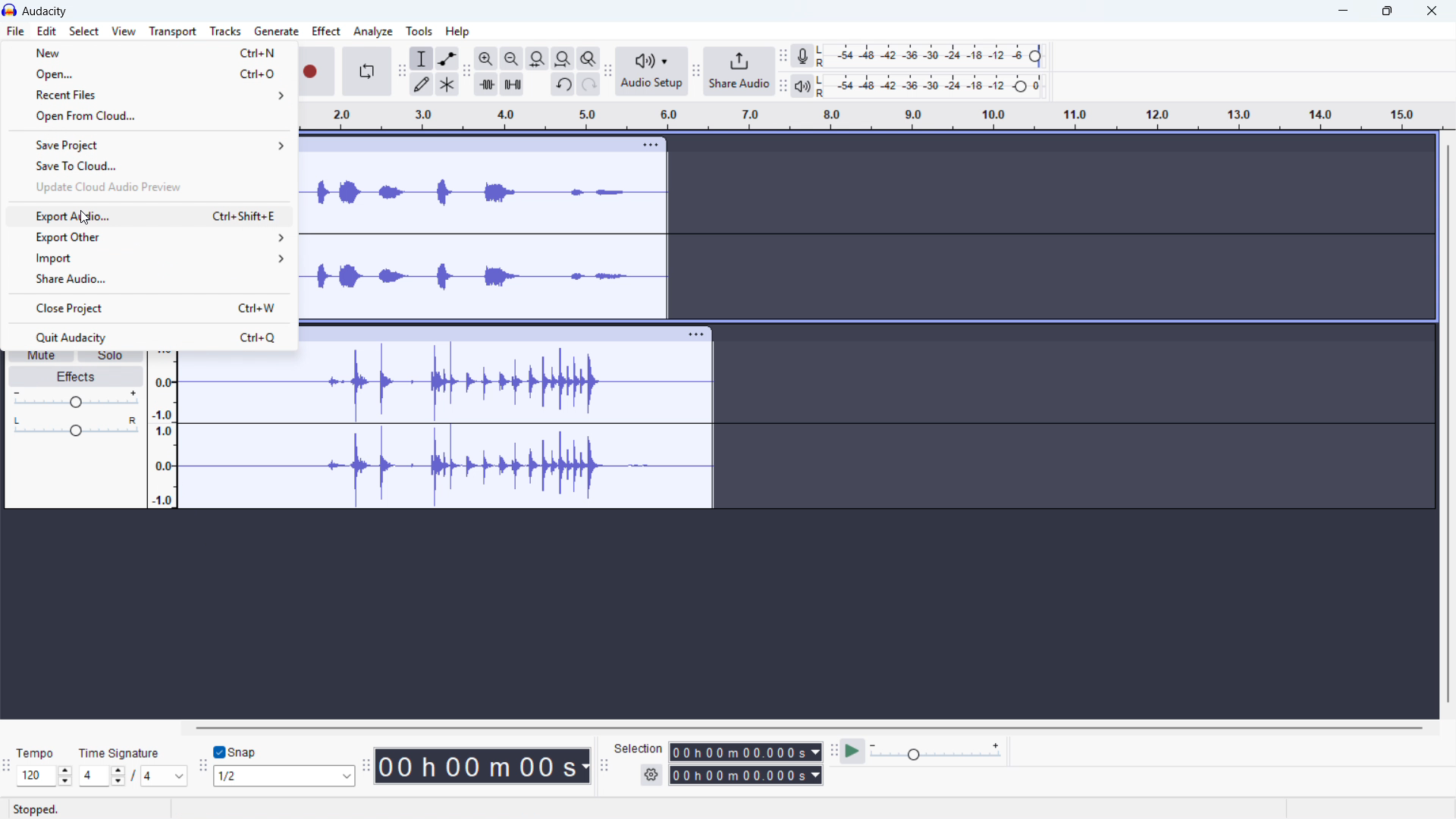 Image resolution: width=1456 pixels, height=819 pixels. I want to click on Multi - tool, so click(448, 85).